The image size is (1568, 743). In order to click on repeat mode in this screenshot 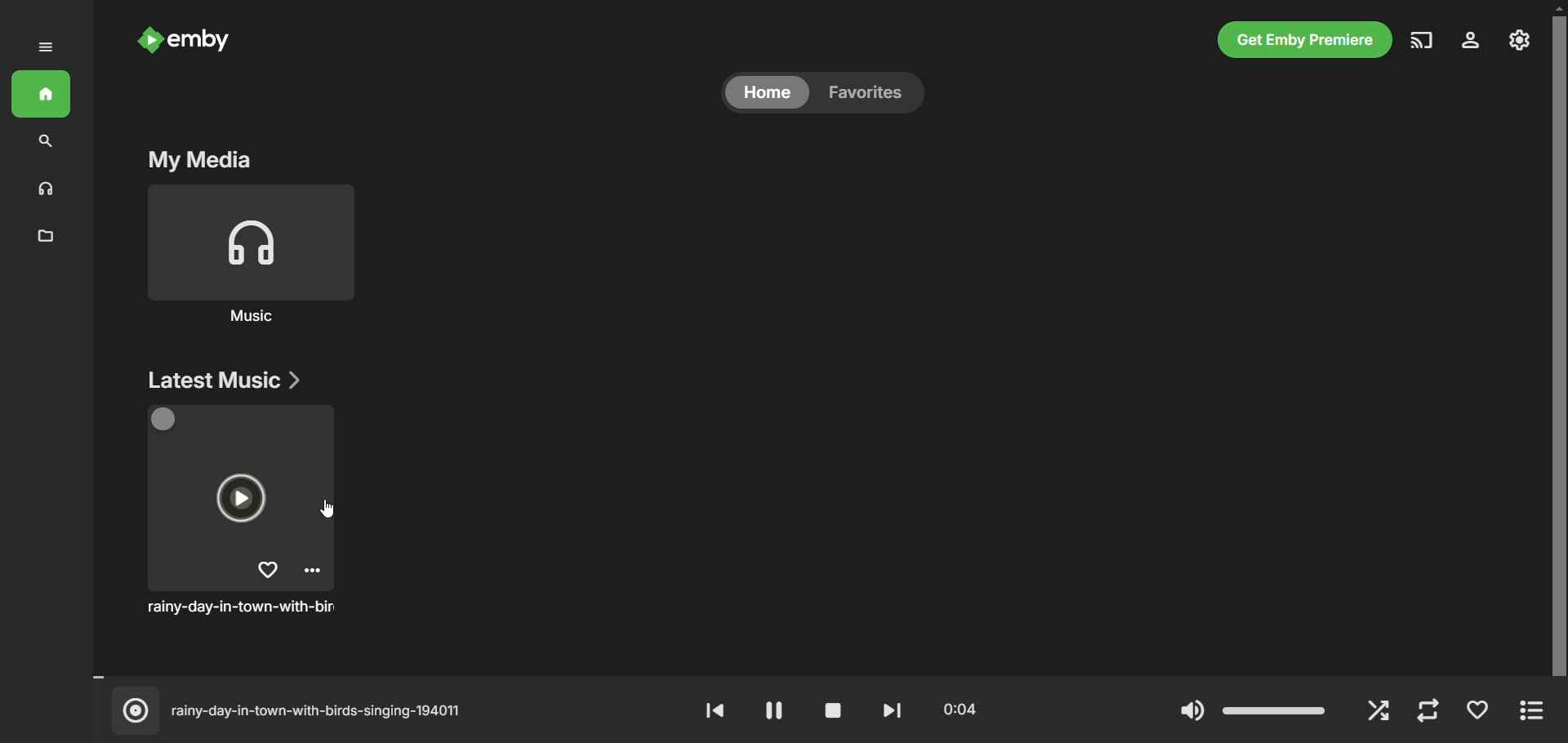, I will do `click(1428, 712)`.